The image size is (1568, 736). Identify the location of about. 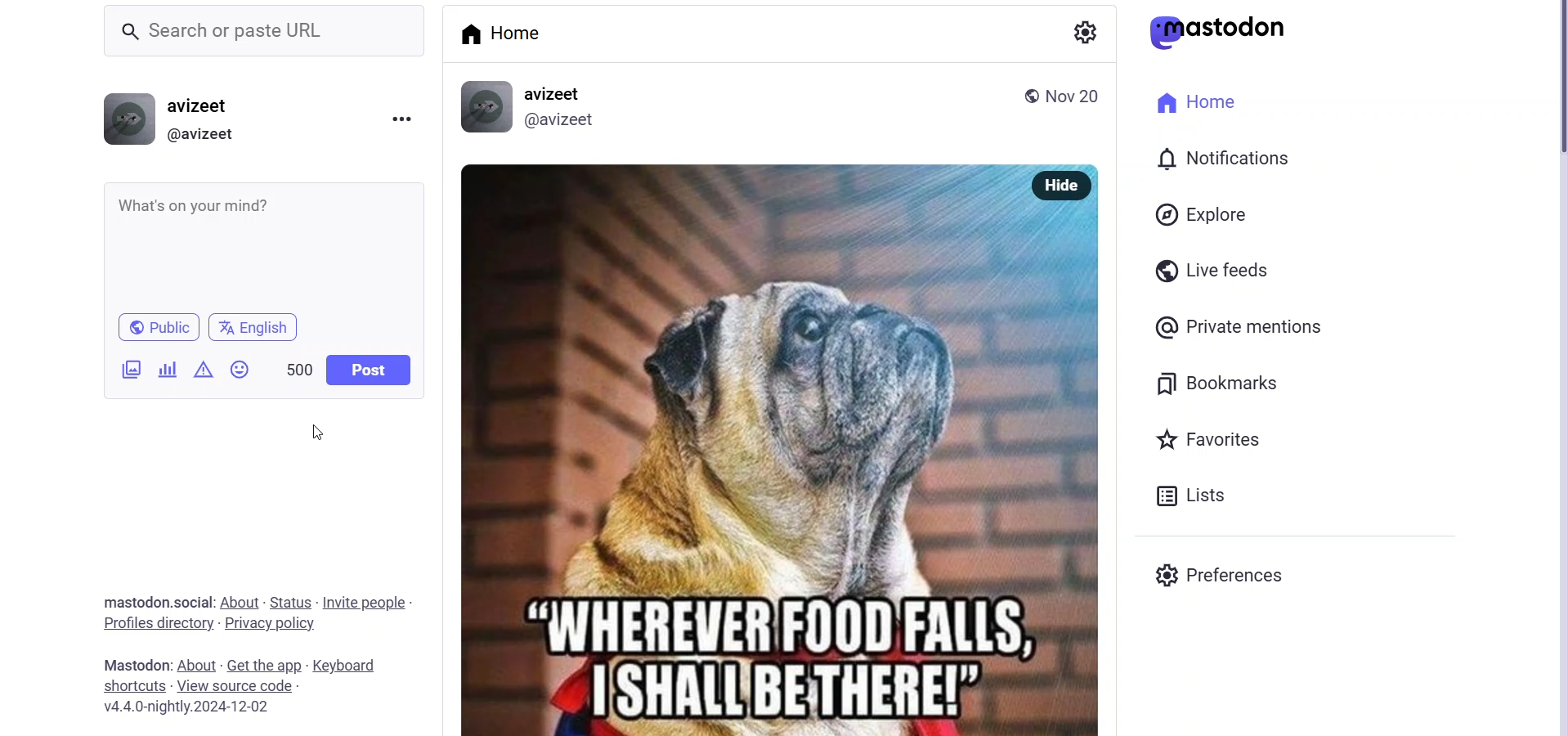
(239, 602).